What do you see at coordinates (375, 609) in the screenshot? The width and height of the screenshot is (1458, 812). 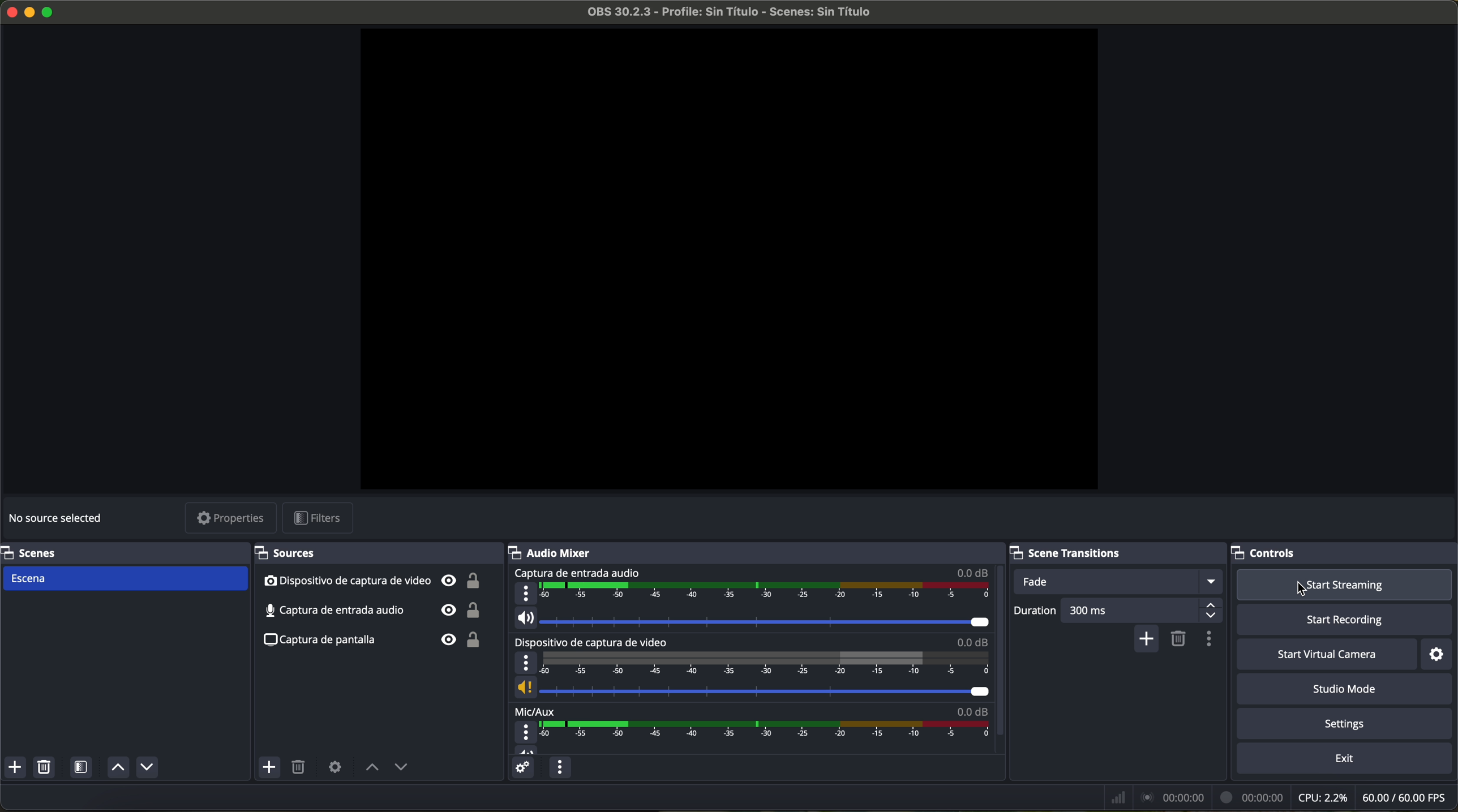 I see `audio input capture` at bounding box center [375, 609].